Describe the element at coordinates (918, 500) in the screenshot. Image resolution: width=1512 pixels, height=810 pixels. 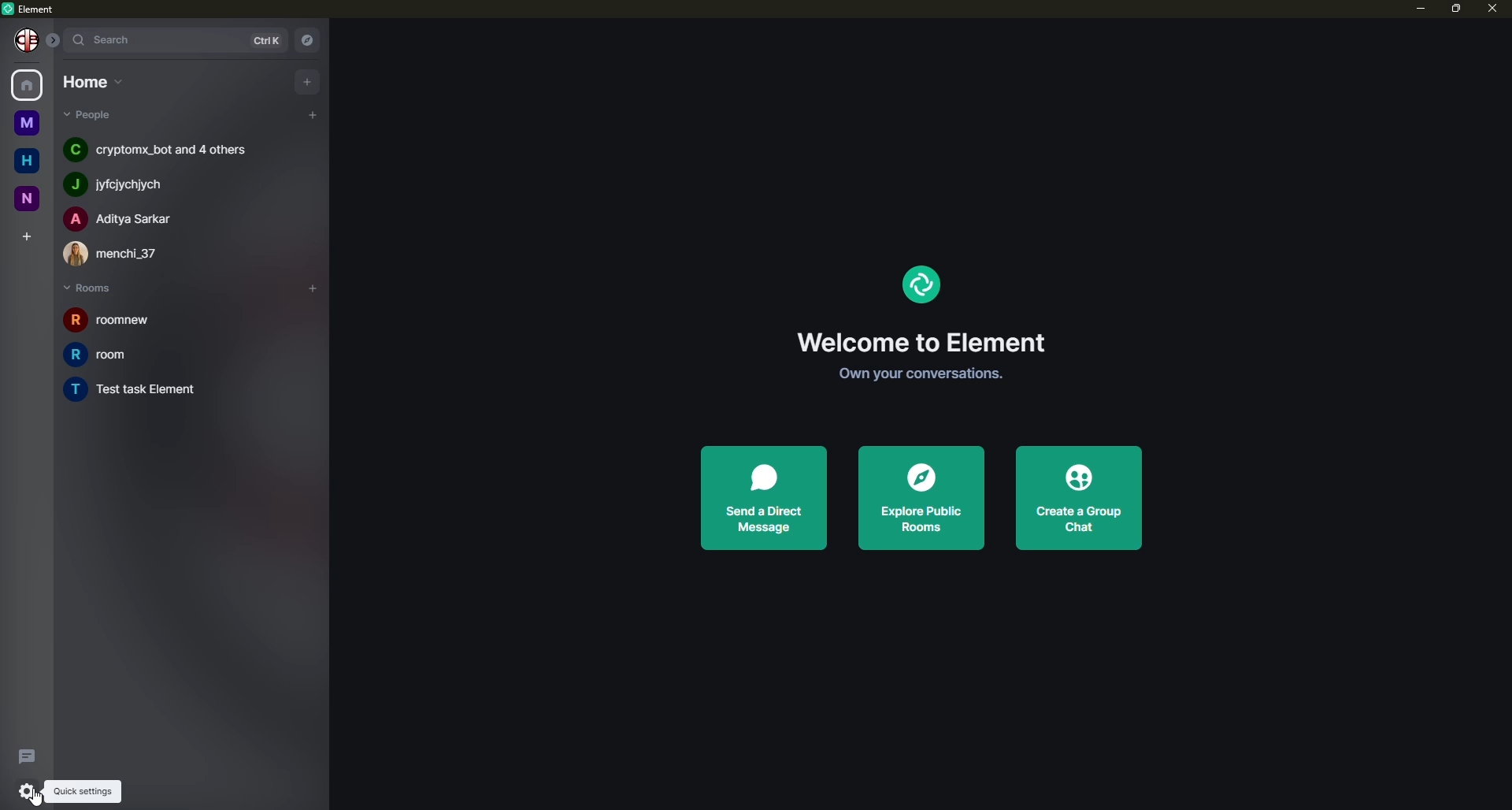
I see `explore public rooms` at that location.